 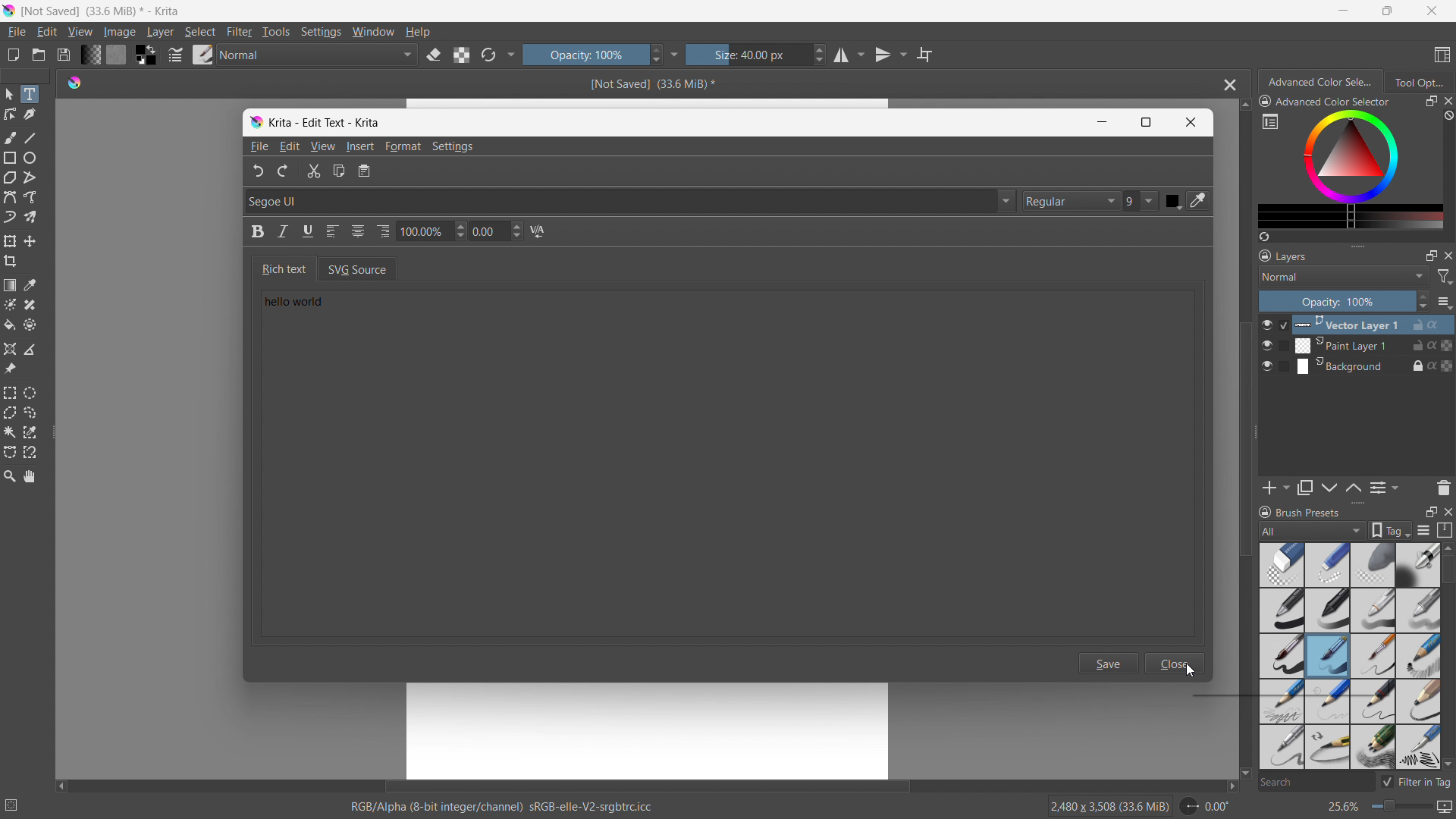 I want to click on Edit, so click(x=290, y=146).